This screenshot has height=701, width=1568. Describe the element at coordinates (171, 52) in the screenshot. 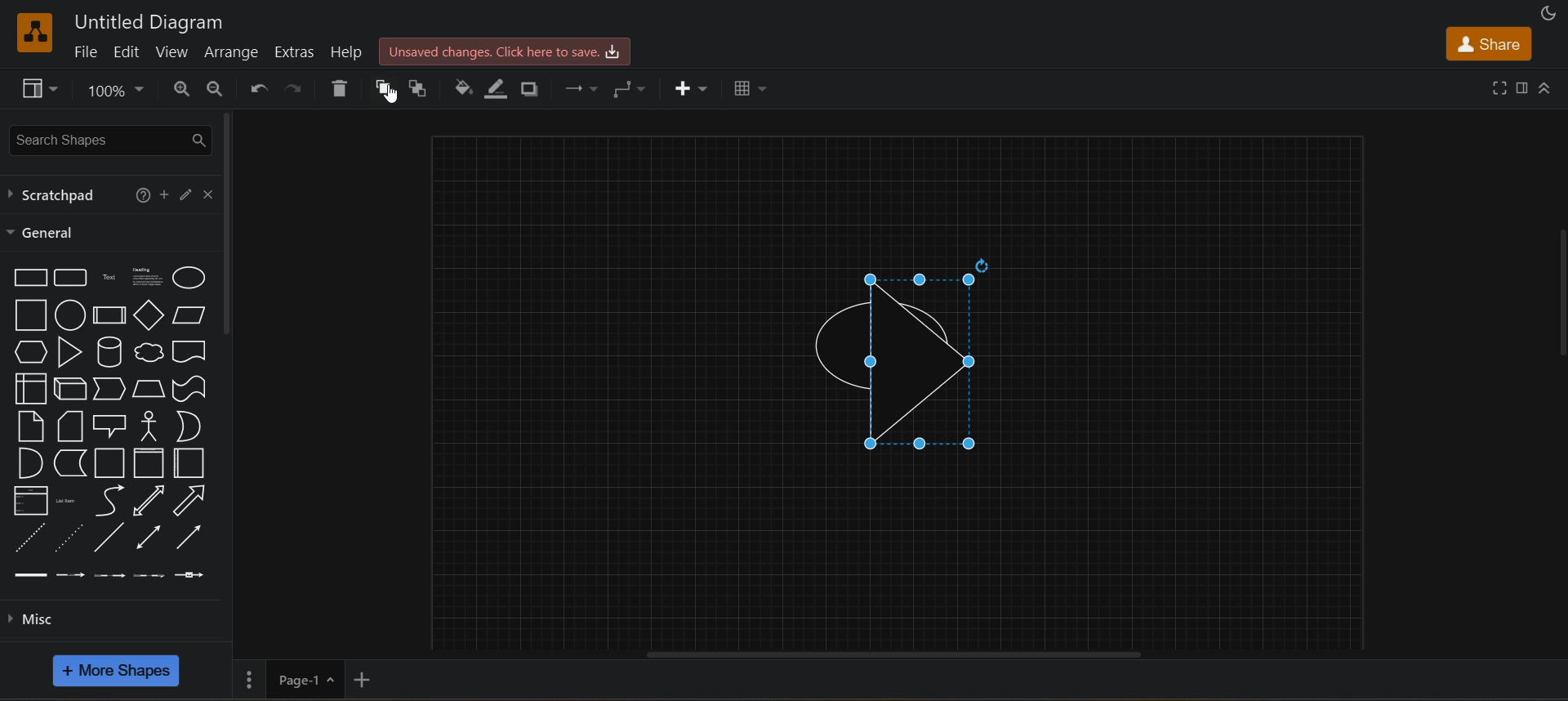

I see `view` at that location.